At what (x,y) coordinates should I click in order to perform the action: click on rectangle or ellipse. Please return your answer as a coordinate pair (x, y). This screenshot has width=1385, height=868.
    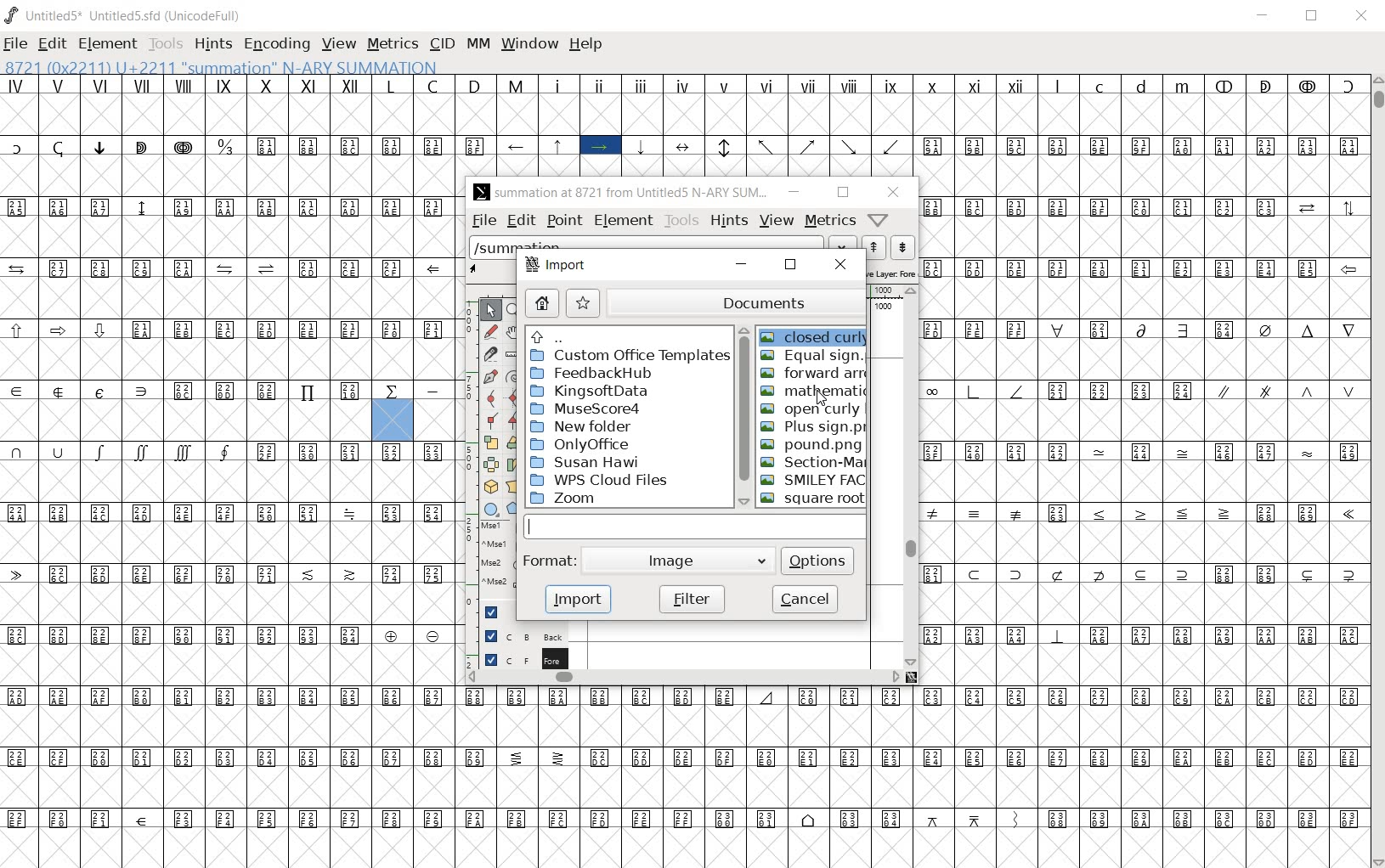
    Looking at the image, I should click on (490, 509).